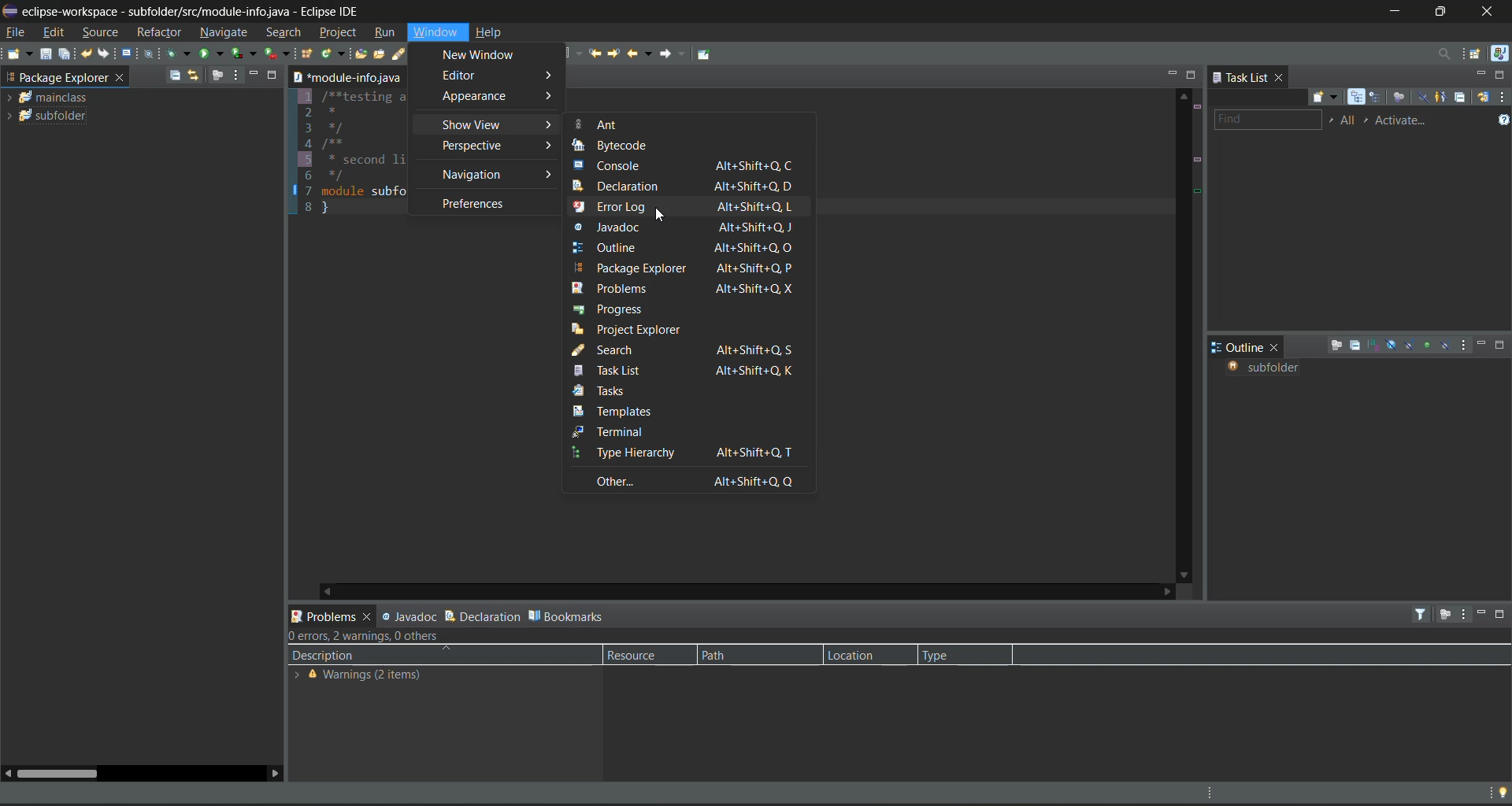  Describe the element at coordinates (1447, 347) in the screenshot. I see `hide local types` at that location.